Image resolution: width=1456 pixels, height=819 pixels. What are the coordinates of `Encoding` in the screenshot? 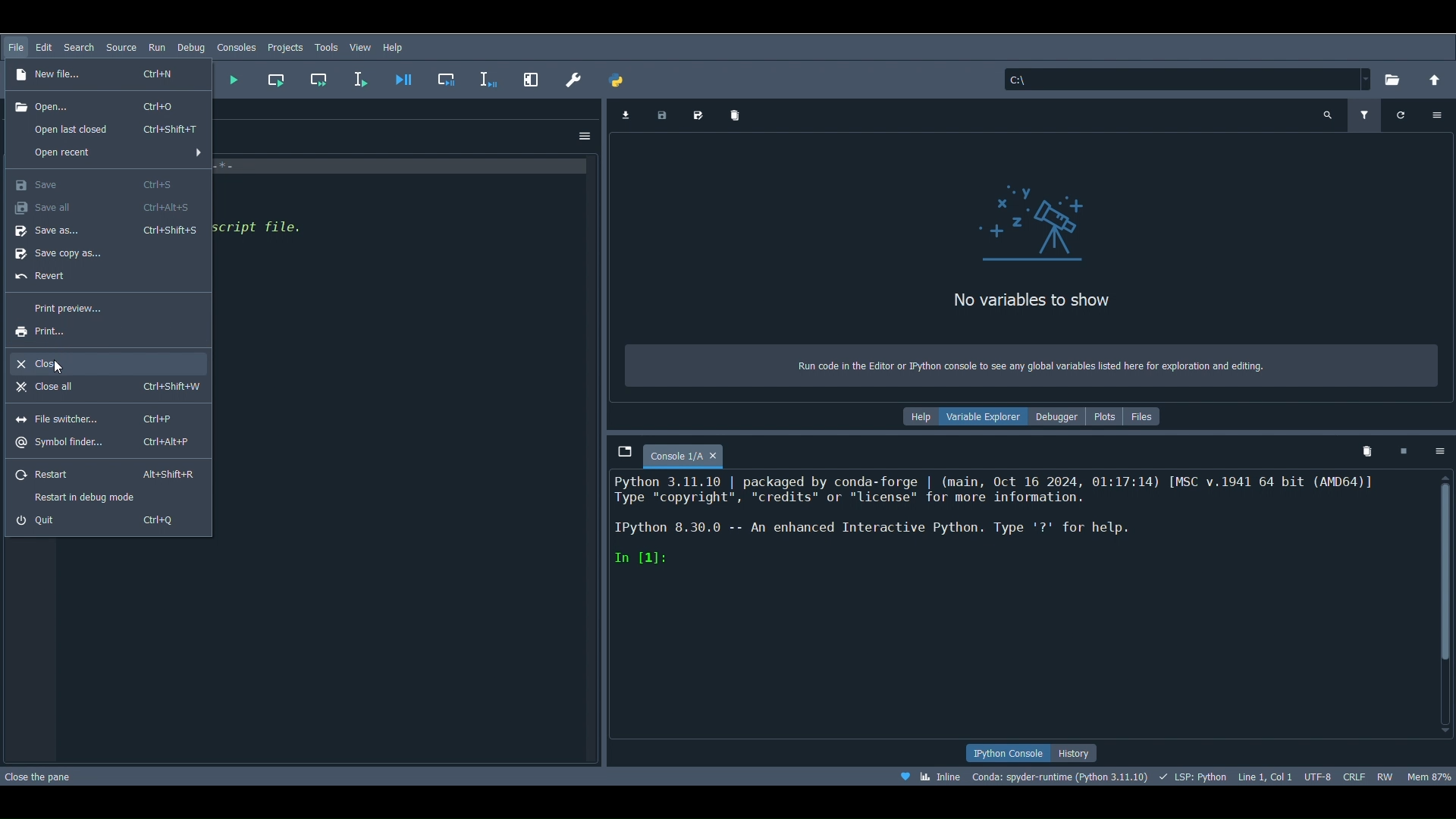 It's located at (1320, 777).